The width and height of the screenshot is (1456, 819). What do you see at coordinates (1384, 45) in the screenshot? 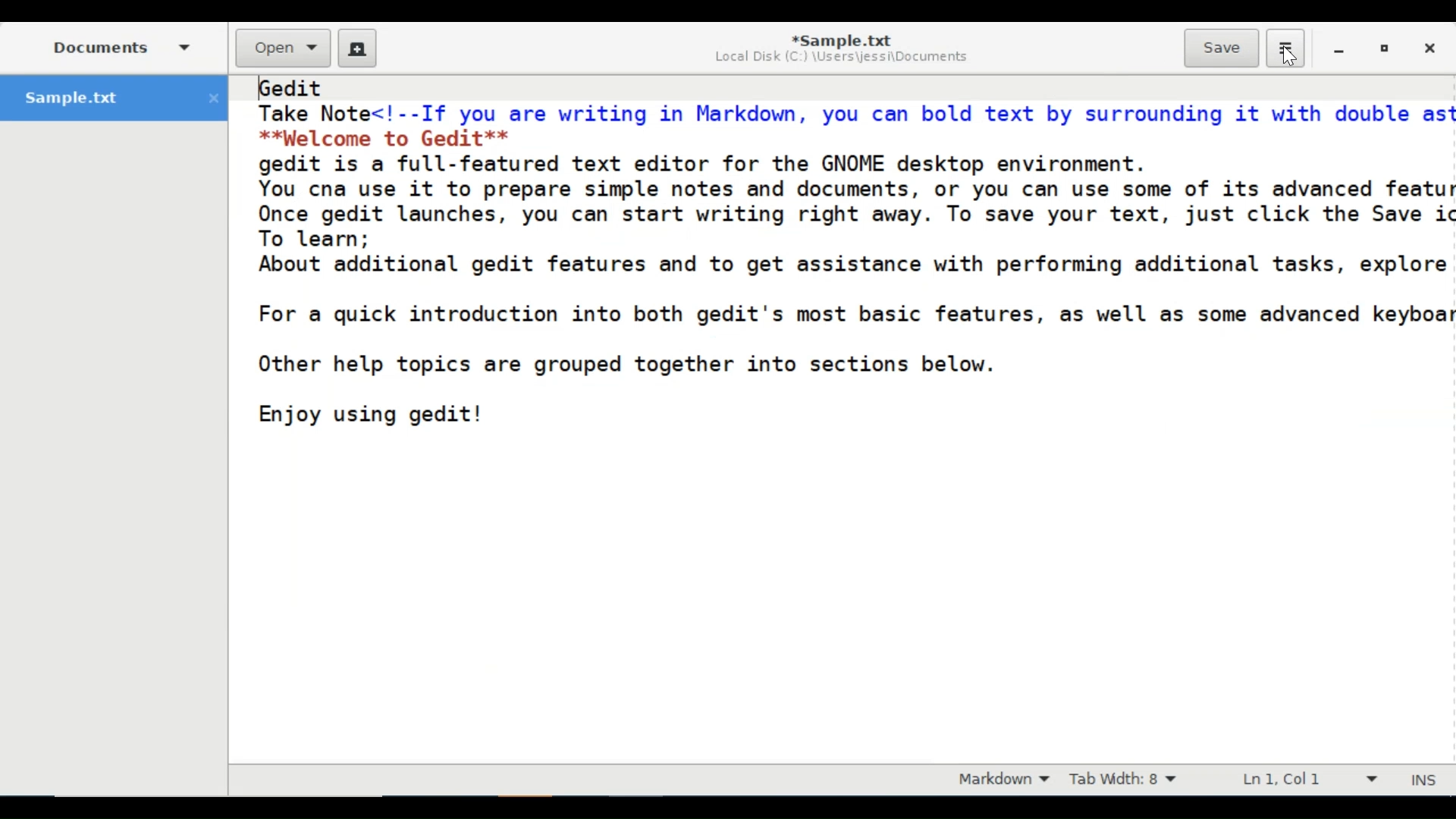
I see `Restore` at bounding box center [1384, 45].